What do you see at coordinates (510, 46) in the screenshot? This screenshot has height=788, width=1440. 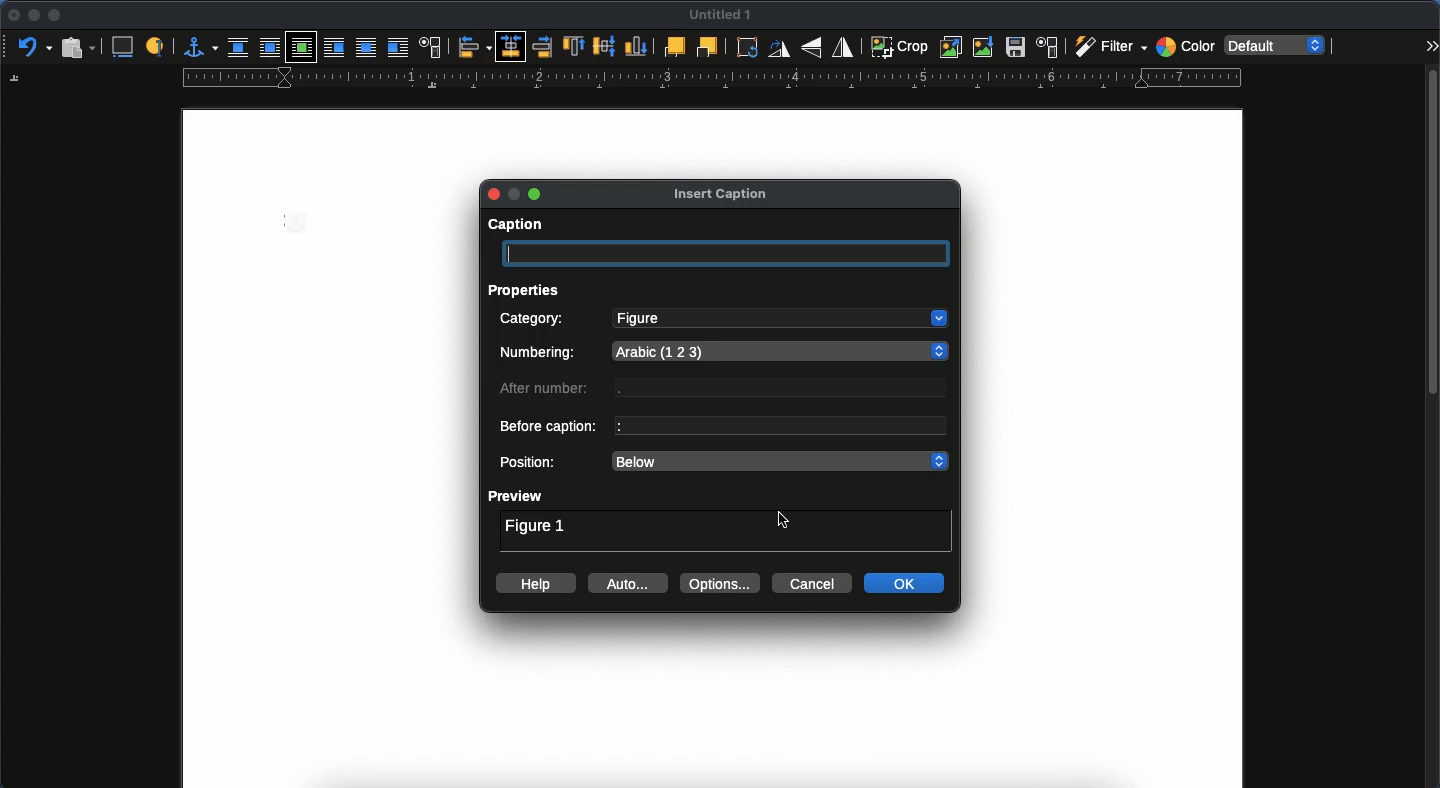 I see `centered` at bounding box center [510, 46].